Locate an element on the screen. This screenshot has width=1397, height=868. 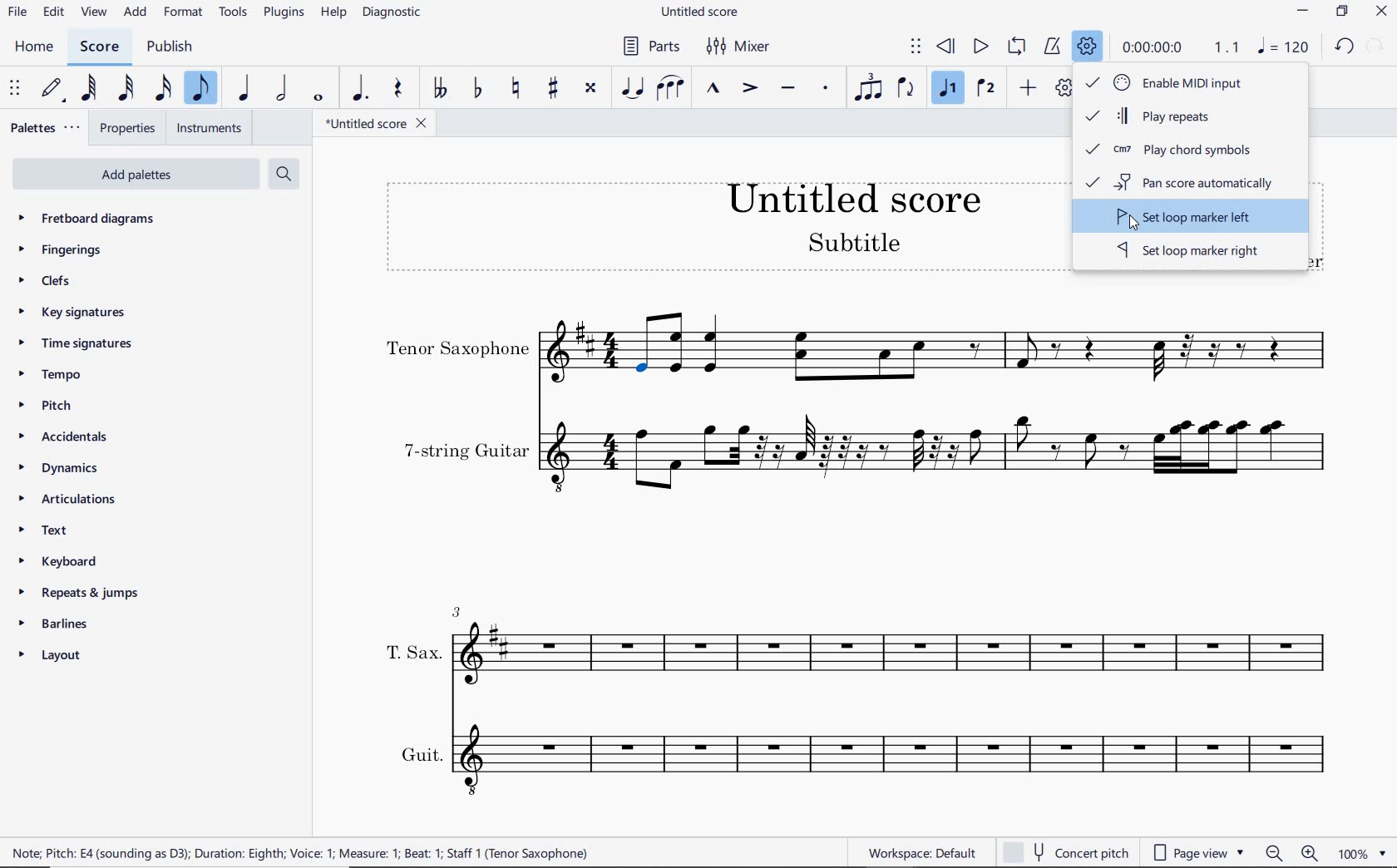
INSTRUMENT: TENOR SAXOPHONE is located at coordinates (857, 348).